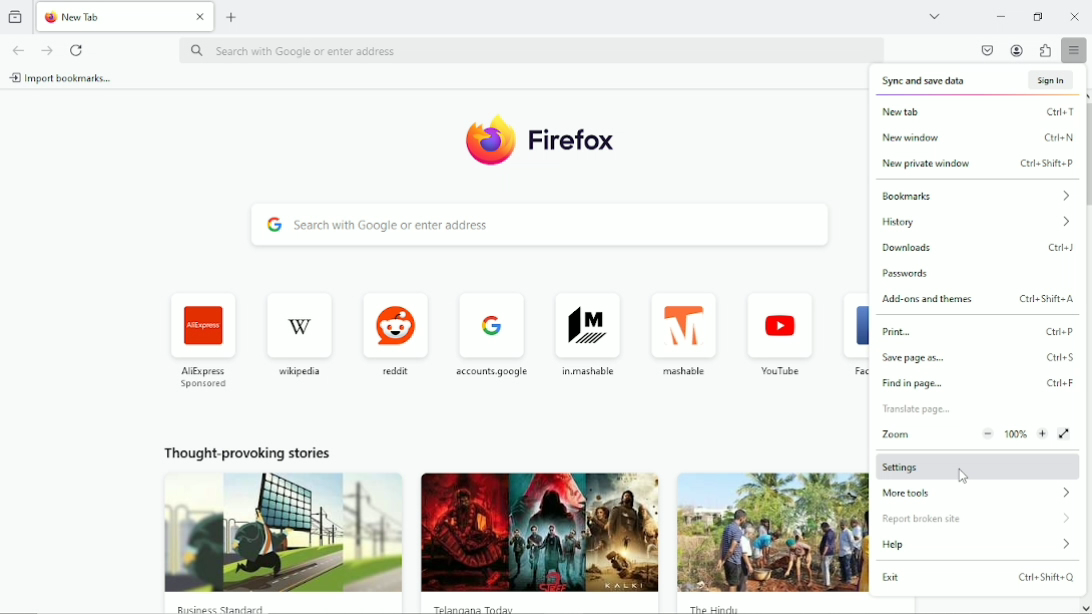 The image size is (1092, 614). Describe the element at coordinates (976, 223) in the screenshot. I see `history` at that location.